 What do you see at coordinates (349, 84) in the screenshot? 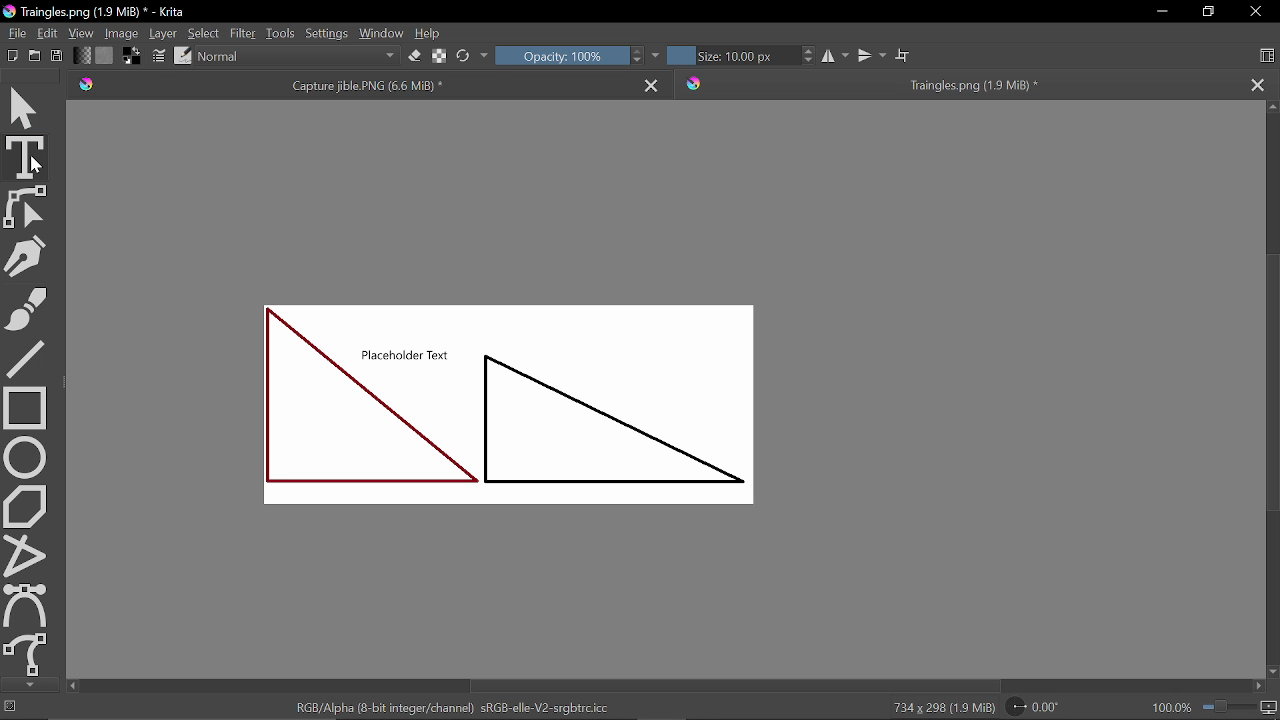
I see `Capture jible.PNG (6.6 MiB) *` at bounding box center [349, 84].